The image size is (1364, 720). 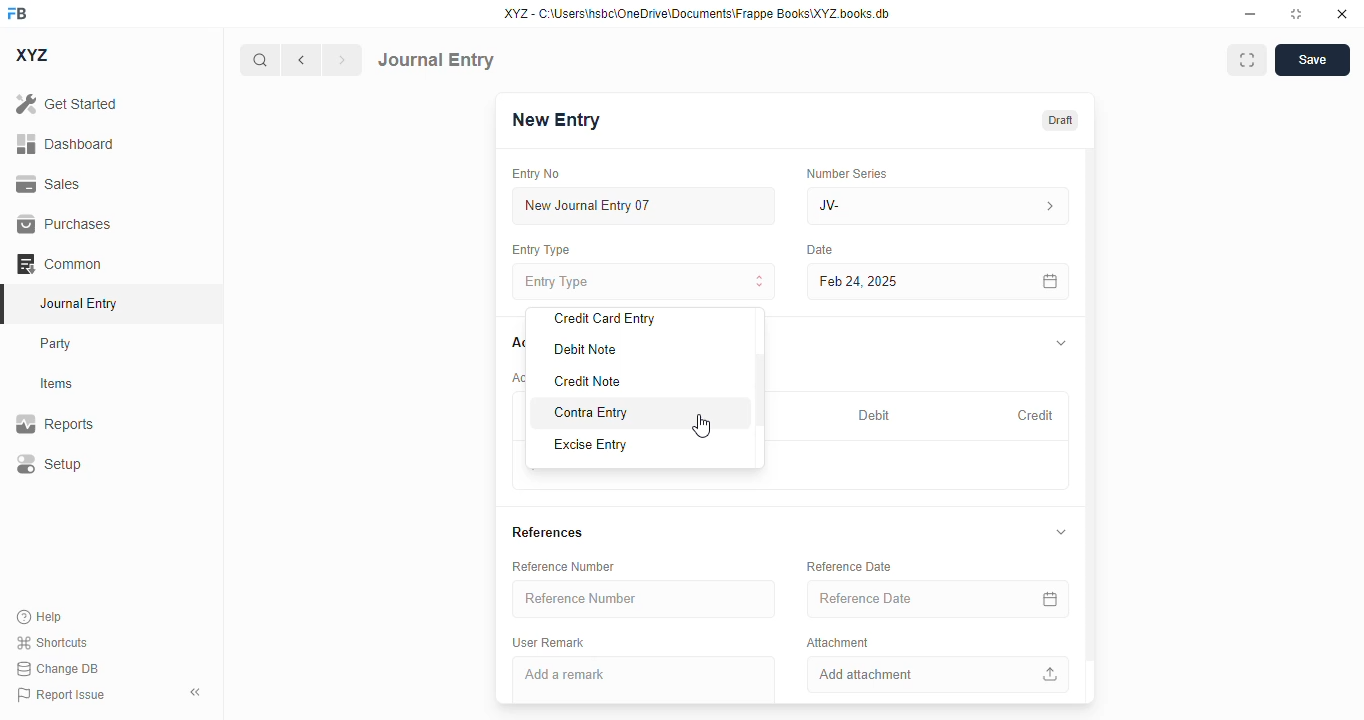 I want to click on debit, so click(x=875, y=415).